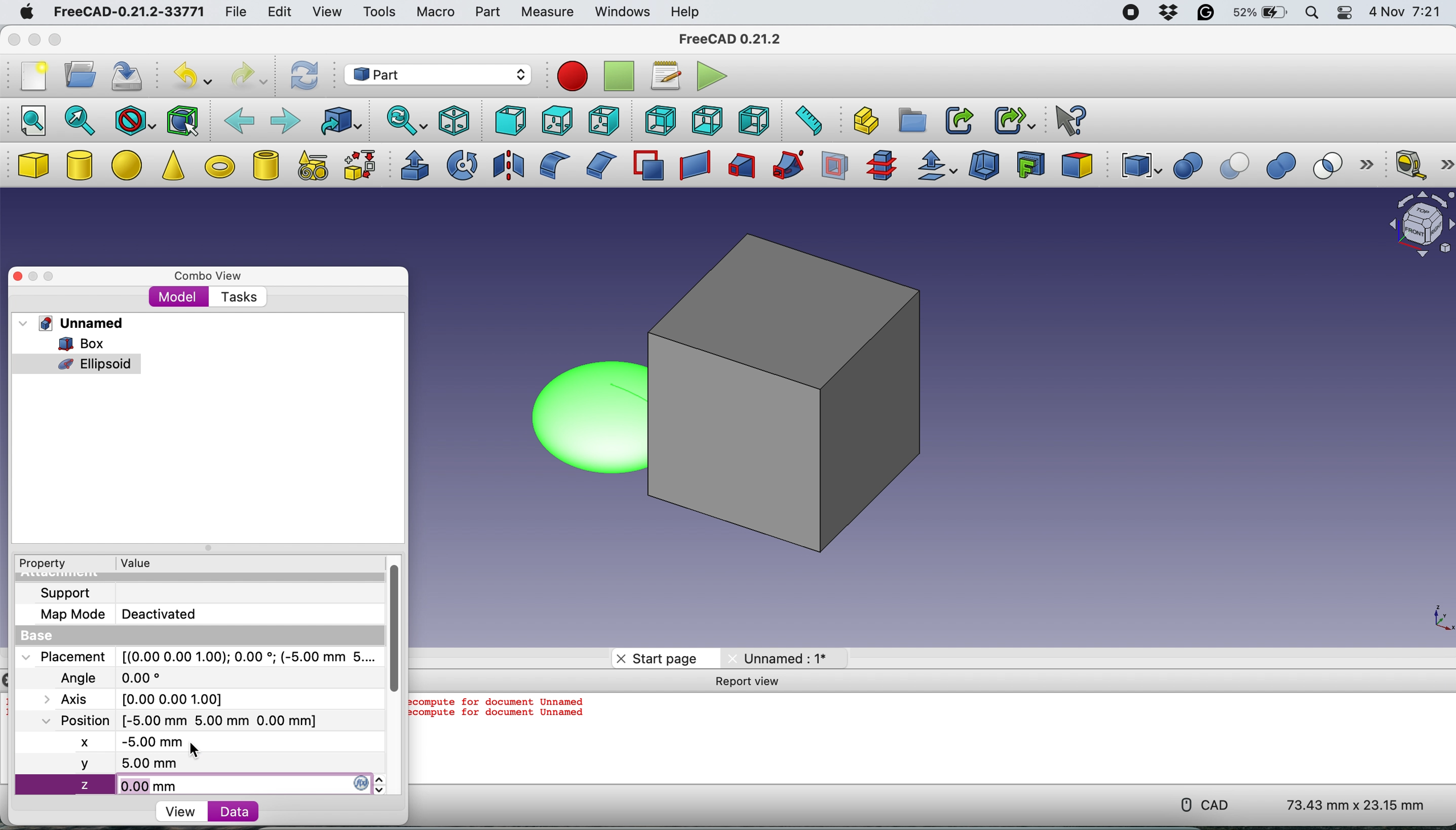 This screenshot has width=1456, height=830. I want to click on close, so click(18, 276).